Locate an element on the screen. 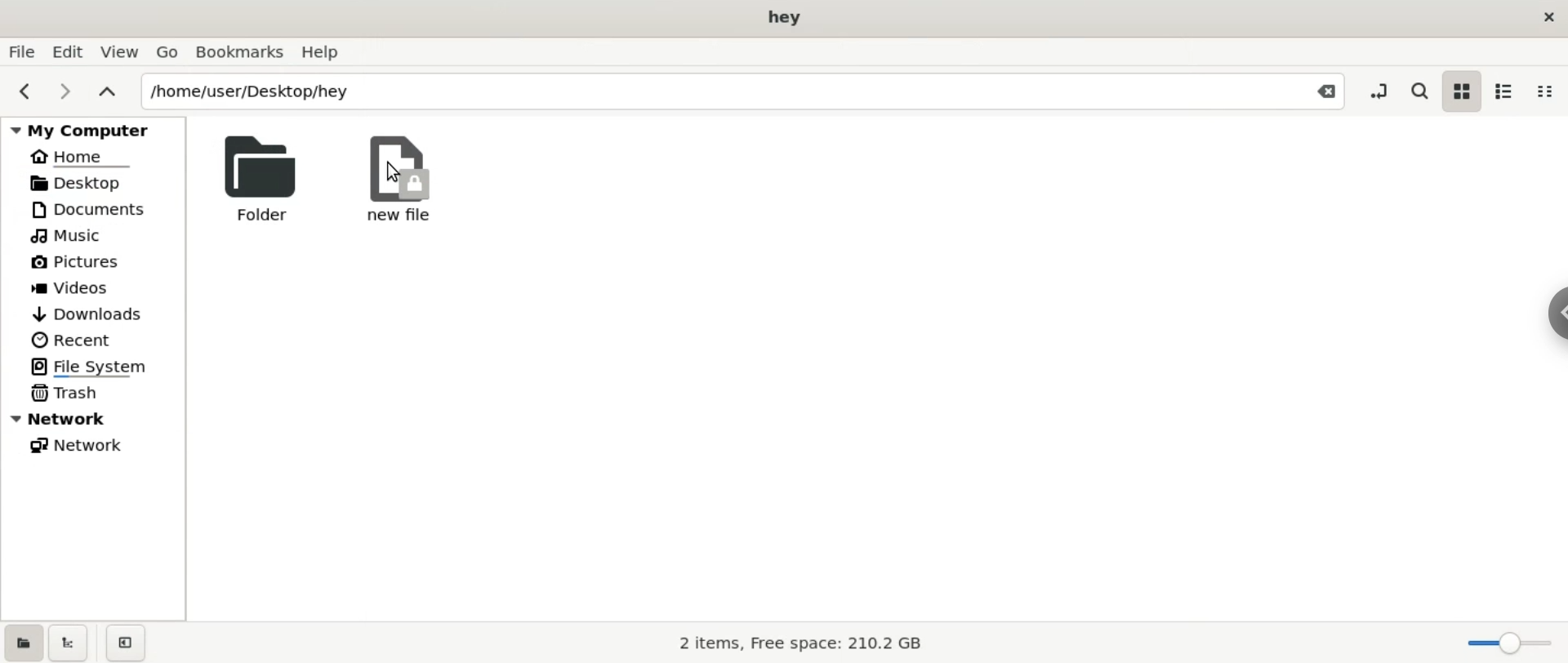 This screenshot has height=663, width=1568. File is located at coordinates (22, 52).